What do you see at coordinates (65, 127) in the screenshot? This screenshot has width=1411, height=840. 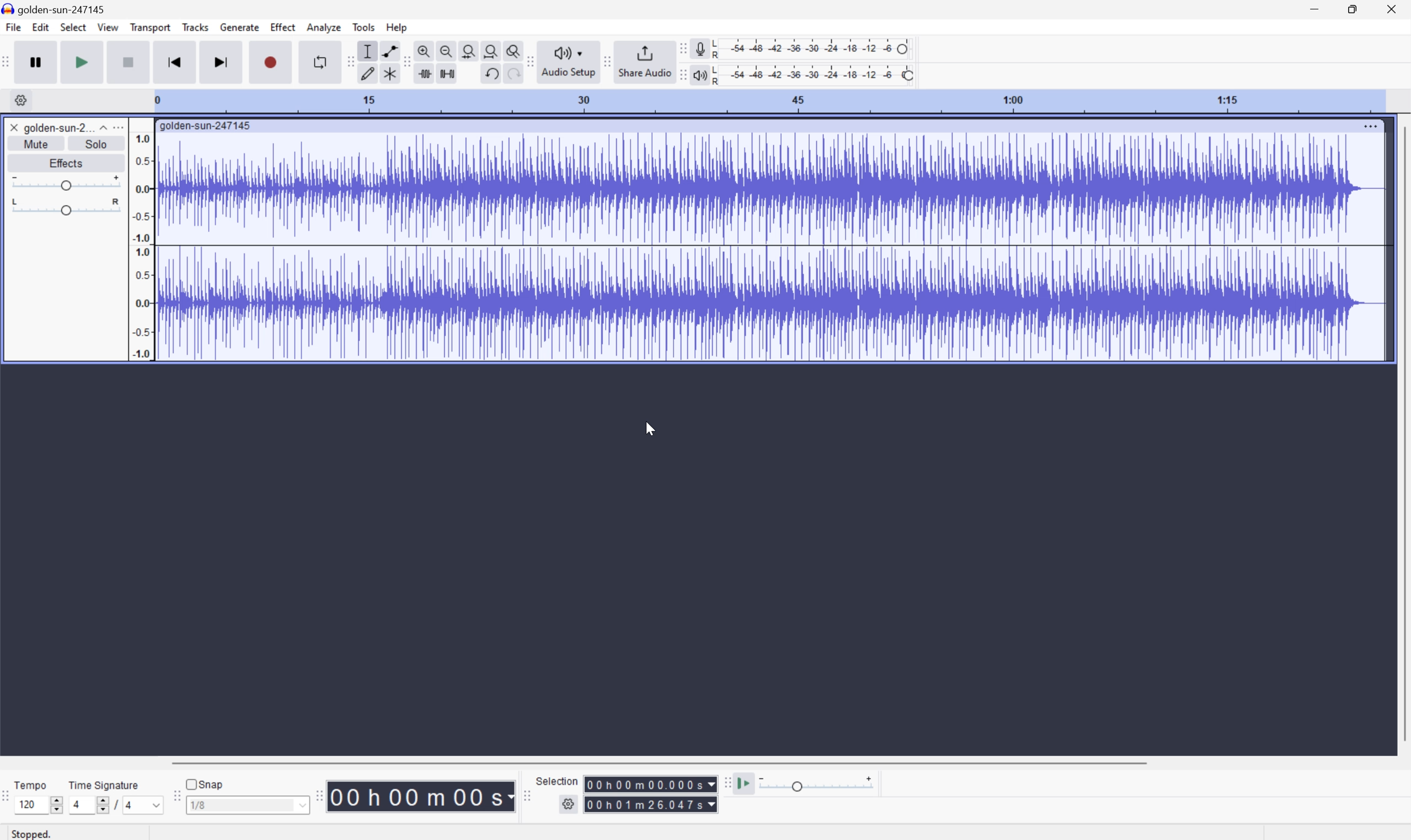 I see `golden-sun-2...` at bounding box center [65, 127].